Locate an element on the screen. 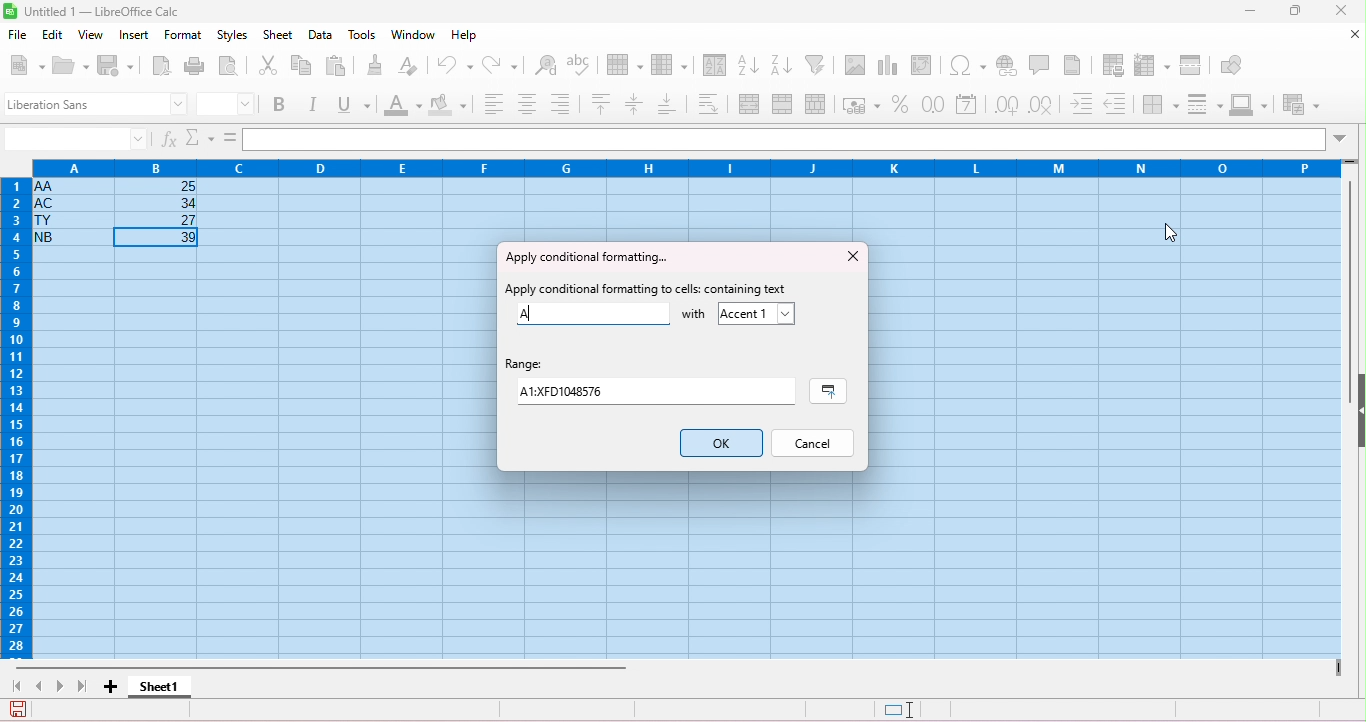  clone is located at coordinates (377, 64).